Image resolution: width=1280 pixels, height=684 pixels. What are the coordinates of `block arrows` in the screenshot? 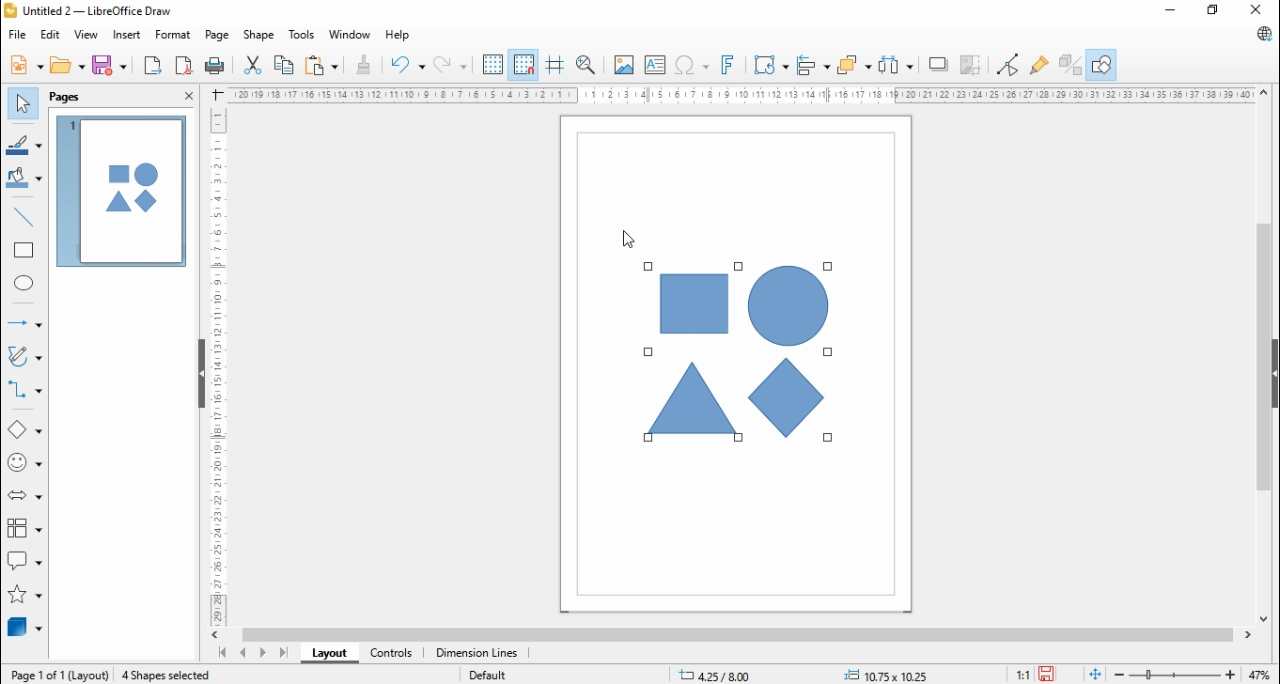 It's located at (25, 495).